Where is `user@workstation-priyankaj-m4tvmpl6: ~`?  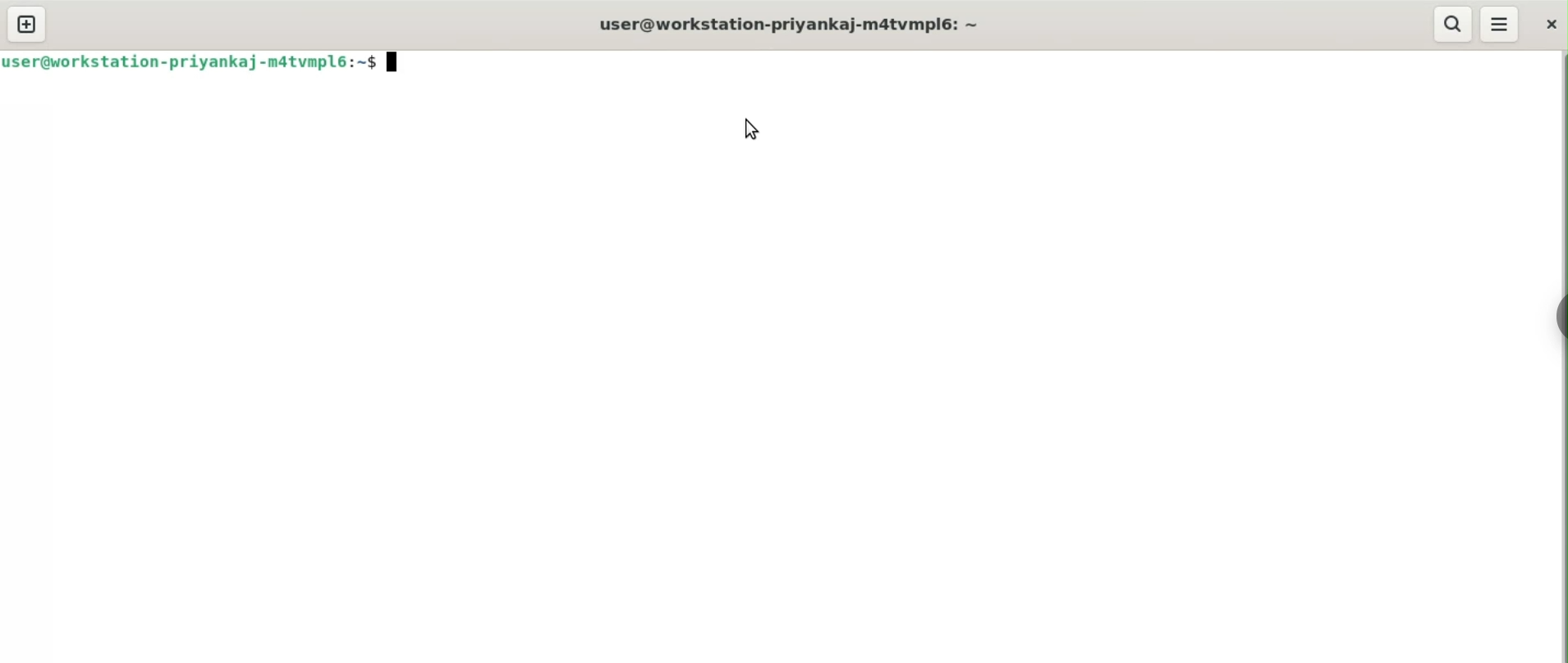 user@workstation-priyankaj-m4tvmpl6: ~ is located at coordinates (793, 23).